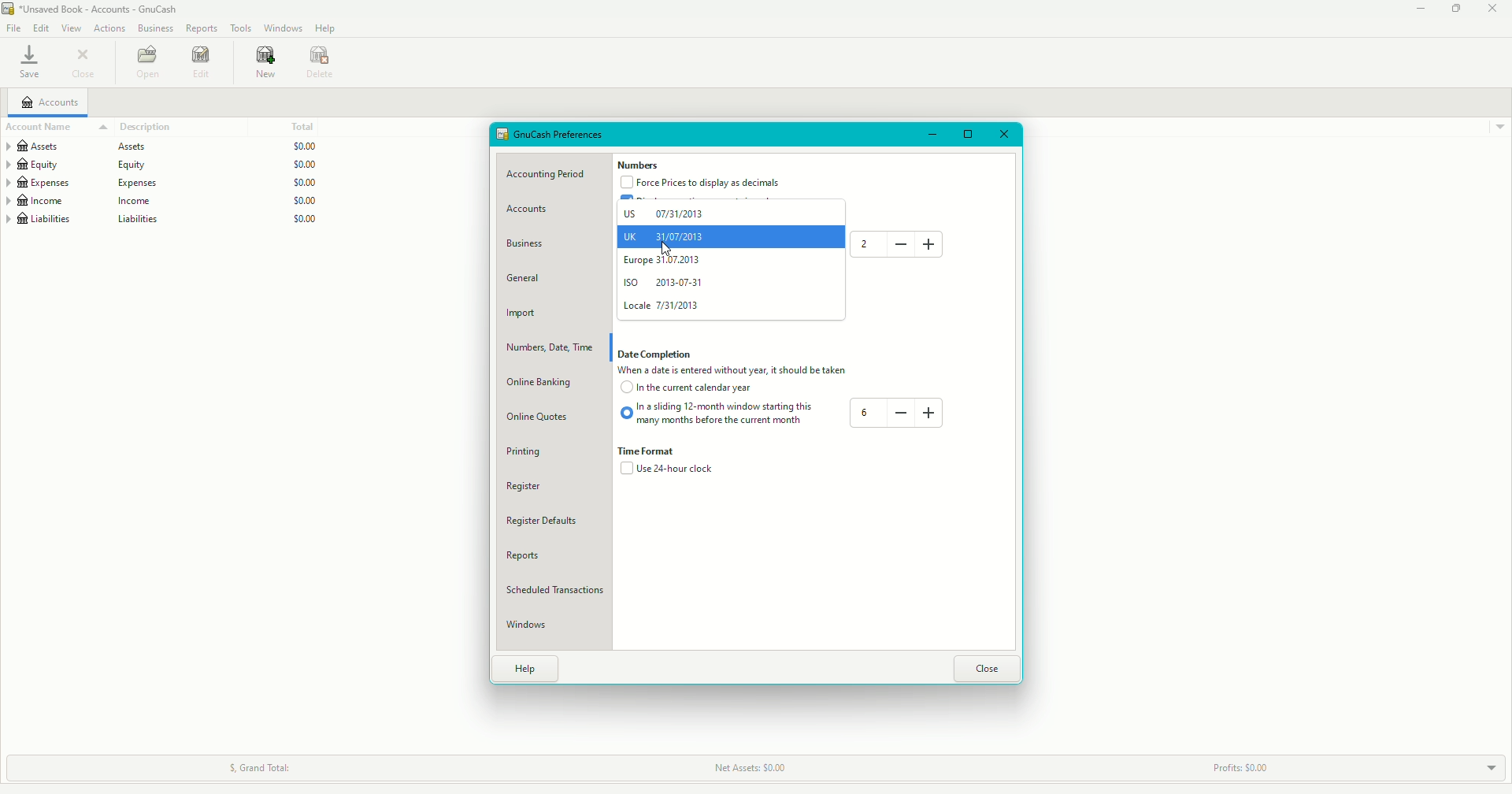 The height and width of the screenshot is (794, 1512). What do you see at coordinates (51, 103) in the screenshot?
I see `Accounts` at bounding box center [51, 103].